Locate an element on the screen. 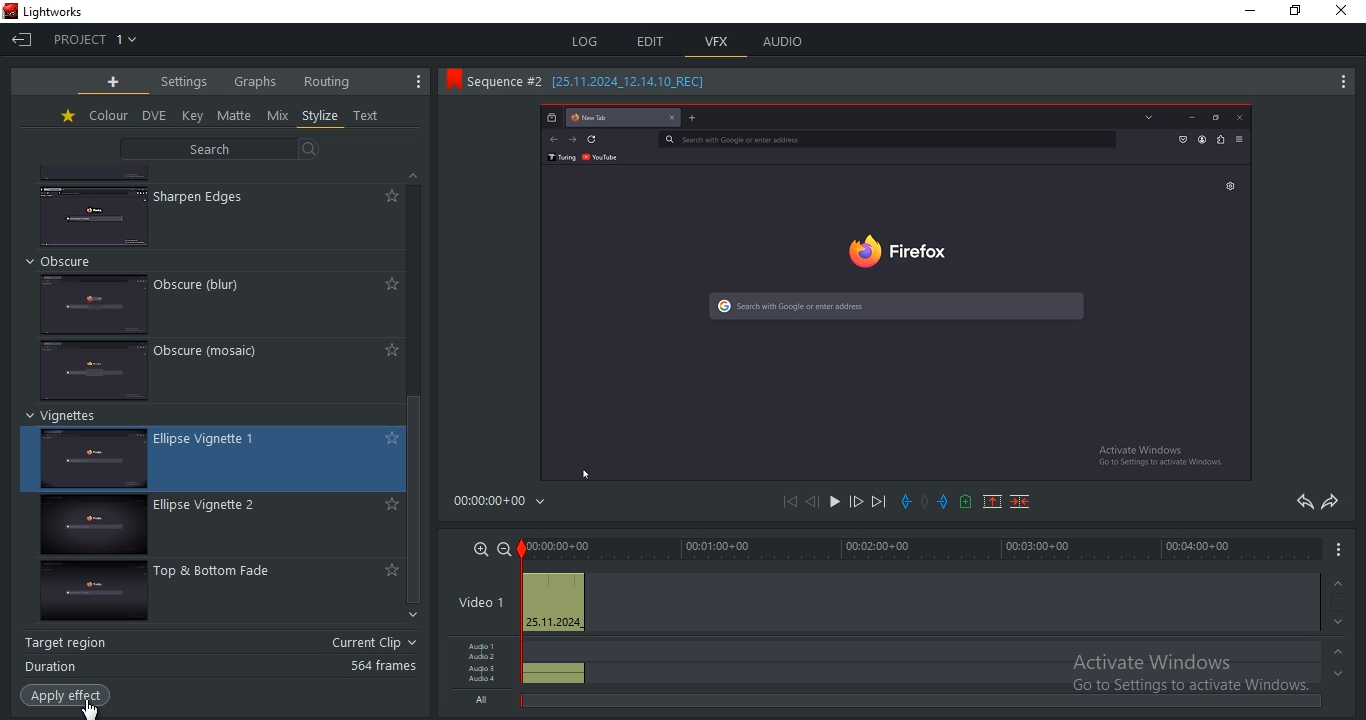  obscure (blur) is located at coordinates (203, 283).